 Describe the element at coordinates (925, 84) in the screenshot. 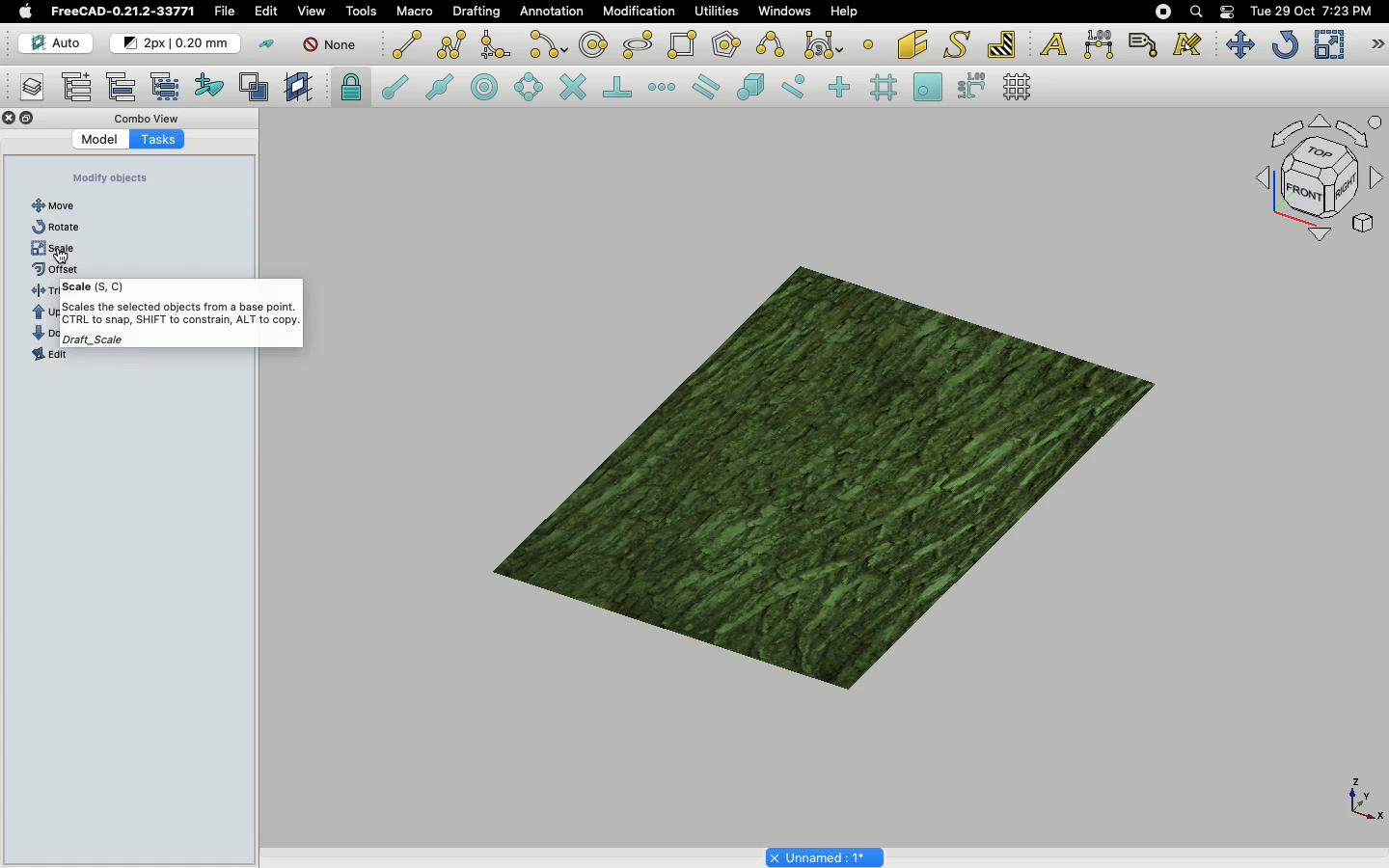

I see `Snap working plane` at that location.